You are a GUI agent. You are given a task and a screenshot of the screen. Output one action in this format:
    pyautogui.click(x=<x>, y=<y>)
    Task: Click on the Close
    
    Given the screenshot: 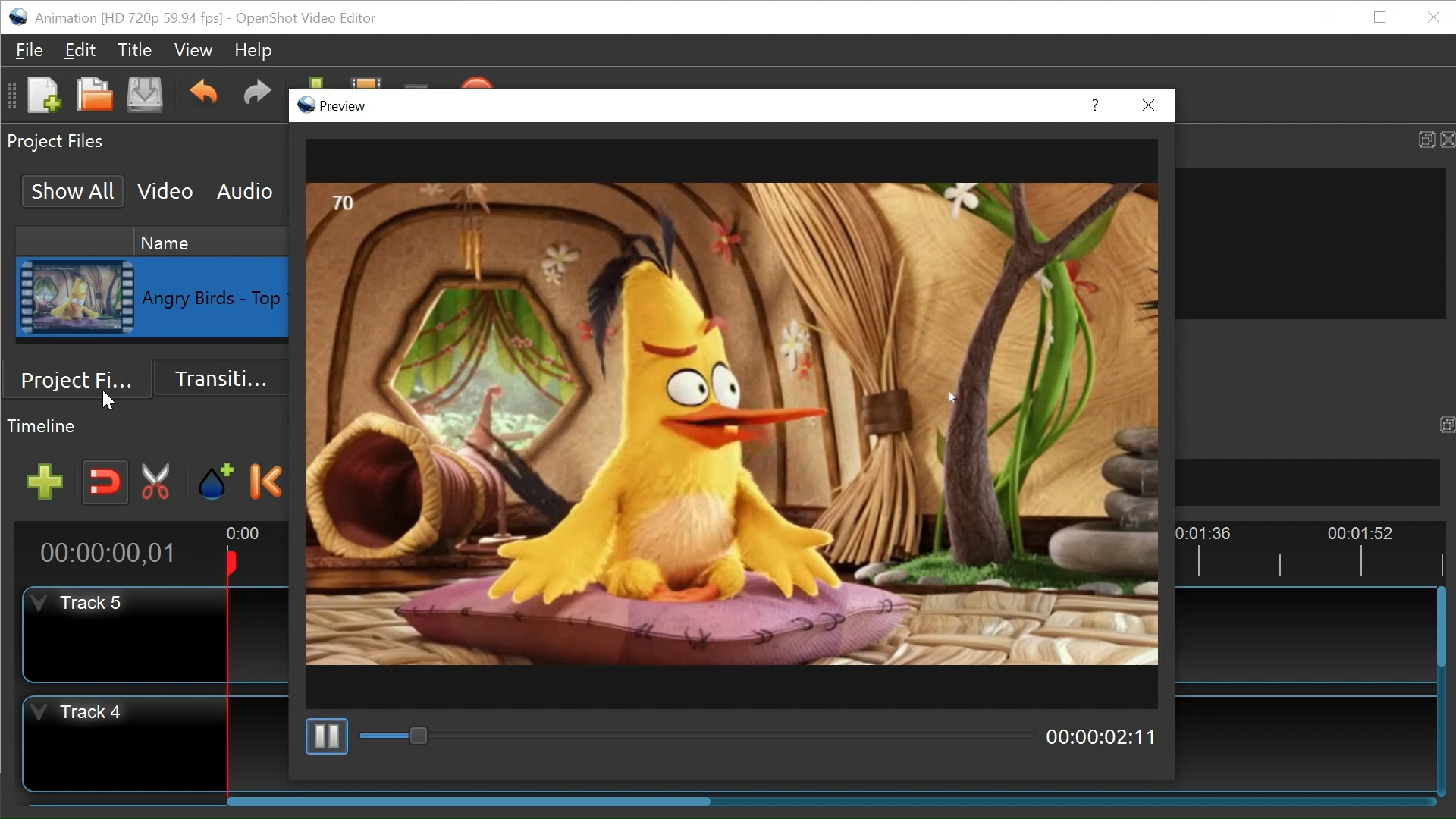 What is the action you would take?
    pyautogui.click(x=1434, y=17)
    